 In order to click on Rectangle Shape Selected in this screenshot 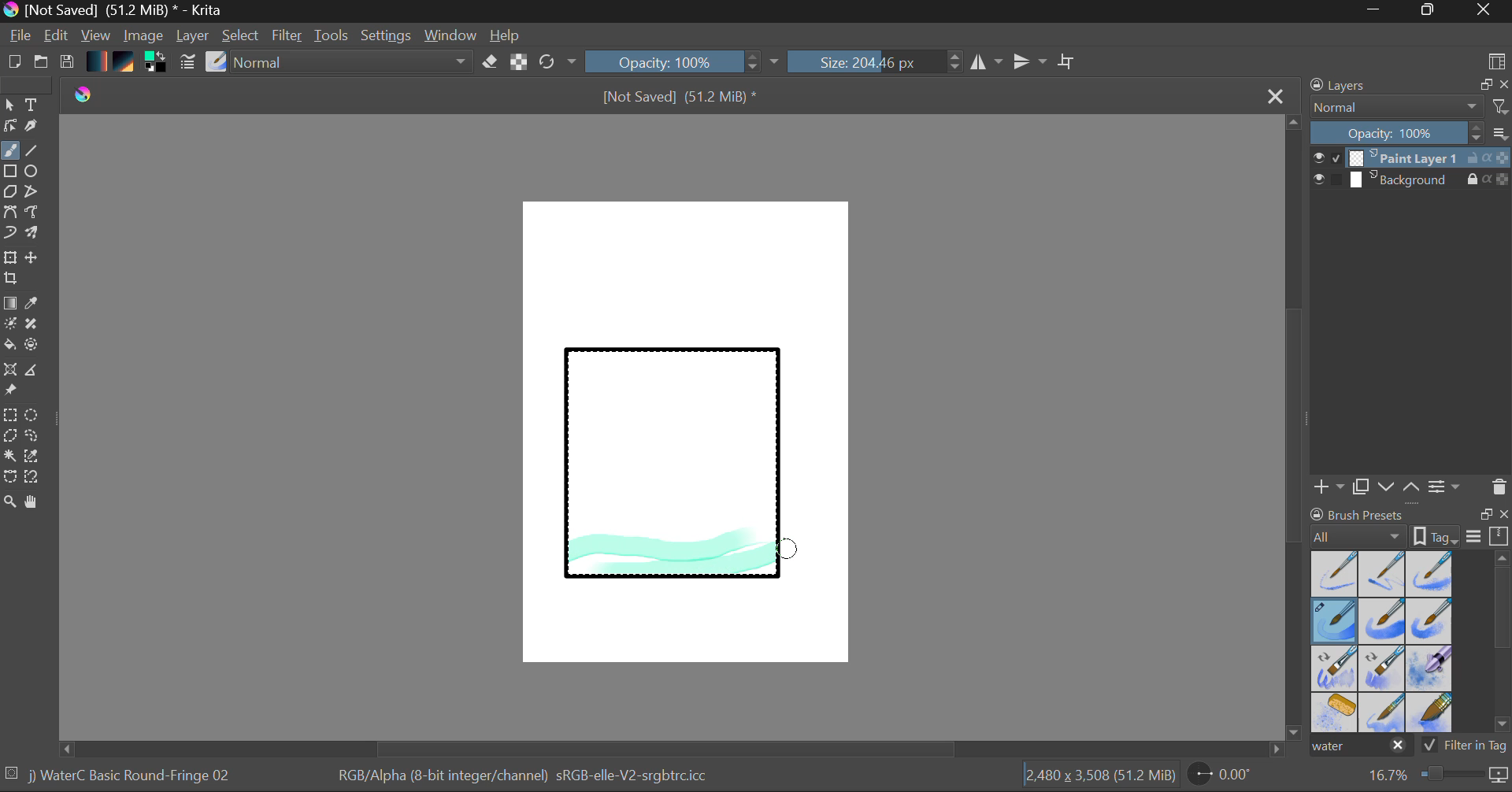, I will do `click(674, 479)`.